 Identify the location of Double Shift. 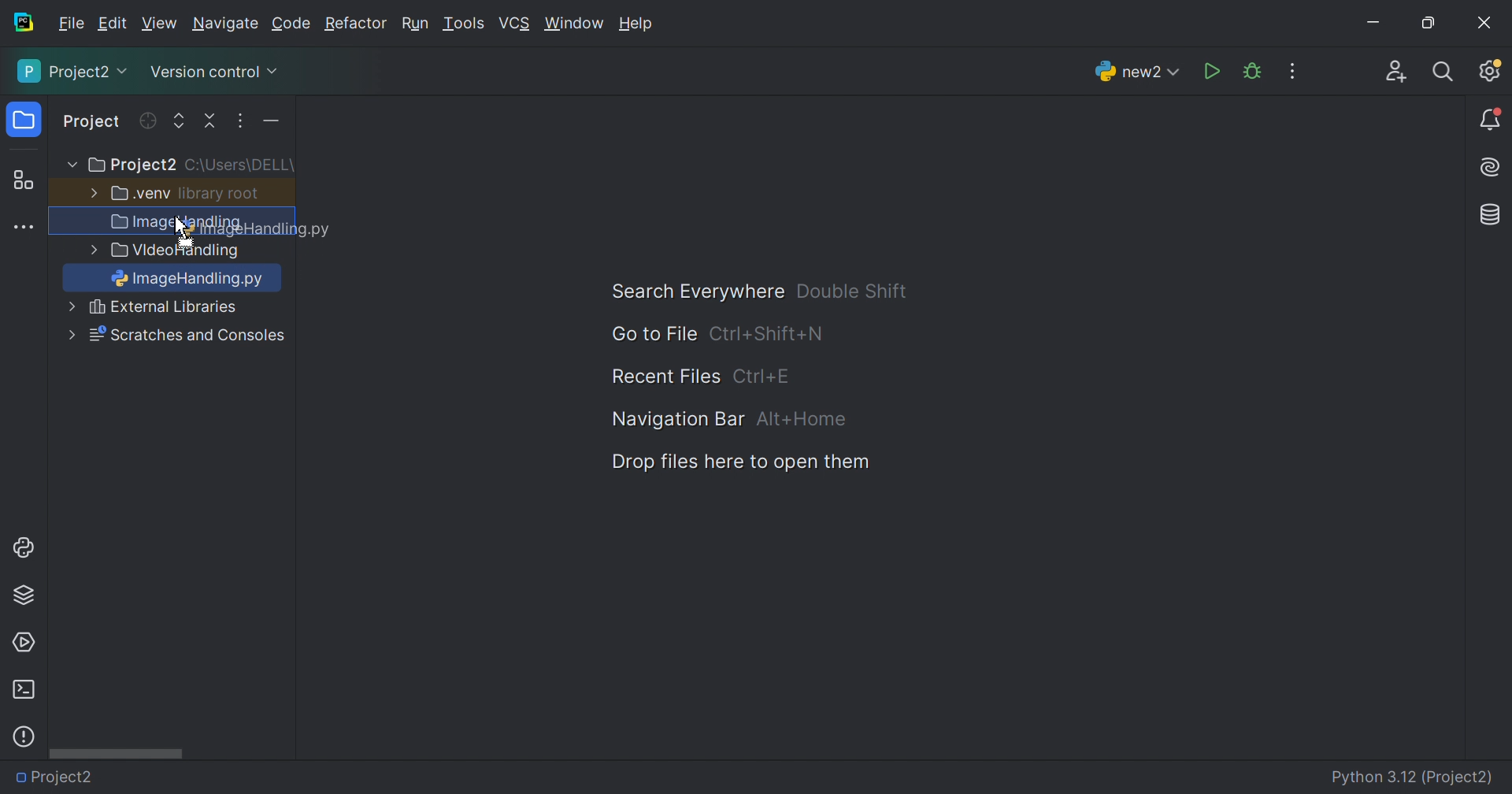
(851, 291).